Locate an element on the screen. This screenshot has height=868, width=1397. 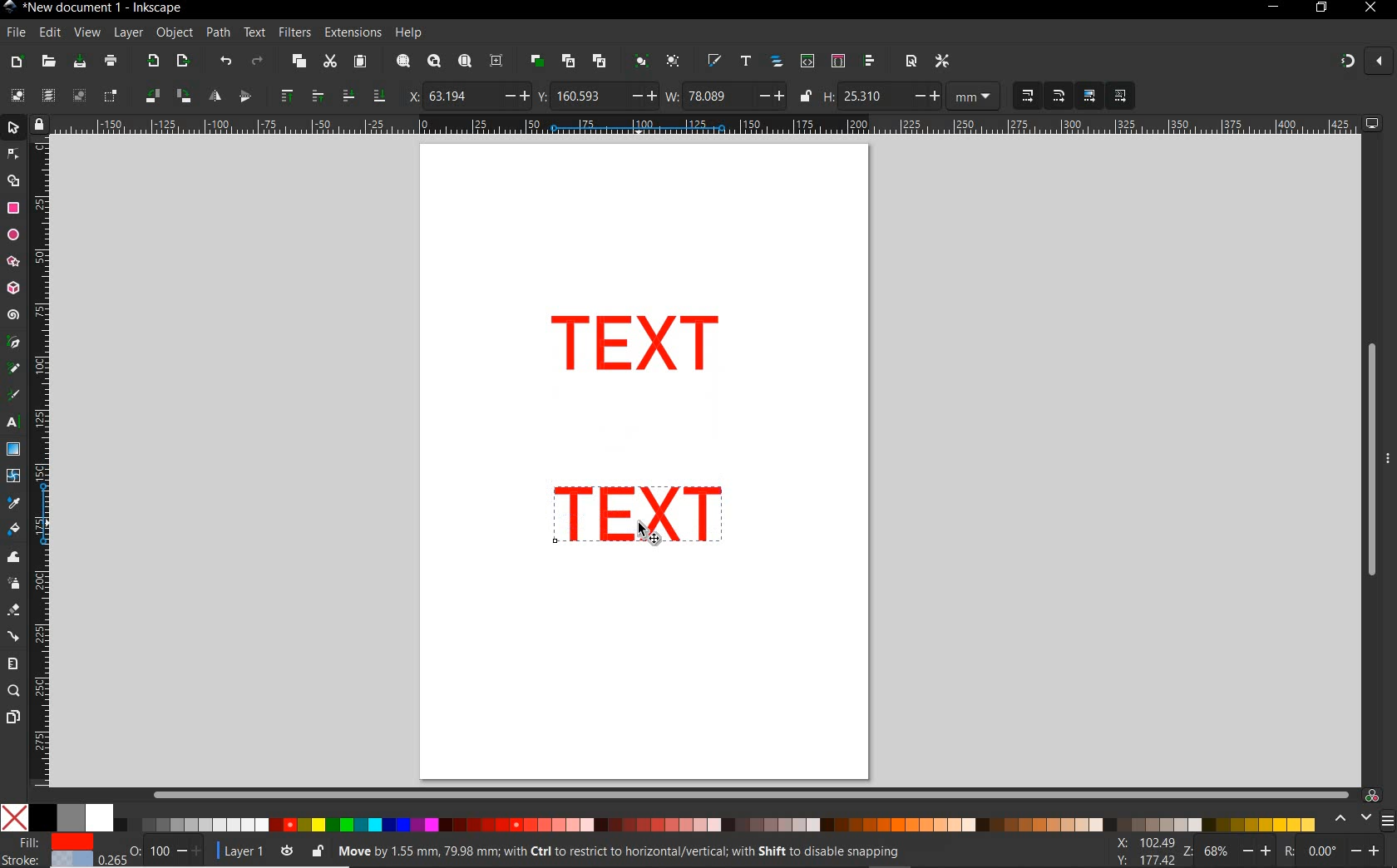
dropper is located at coordinates (14, 503).